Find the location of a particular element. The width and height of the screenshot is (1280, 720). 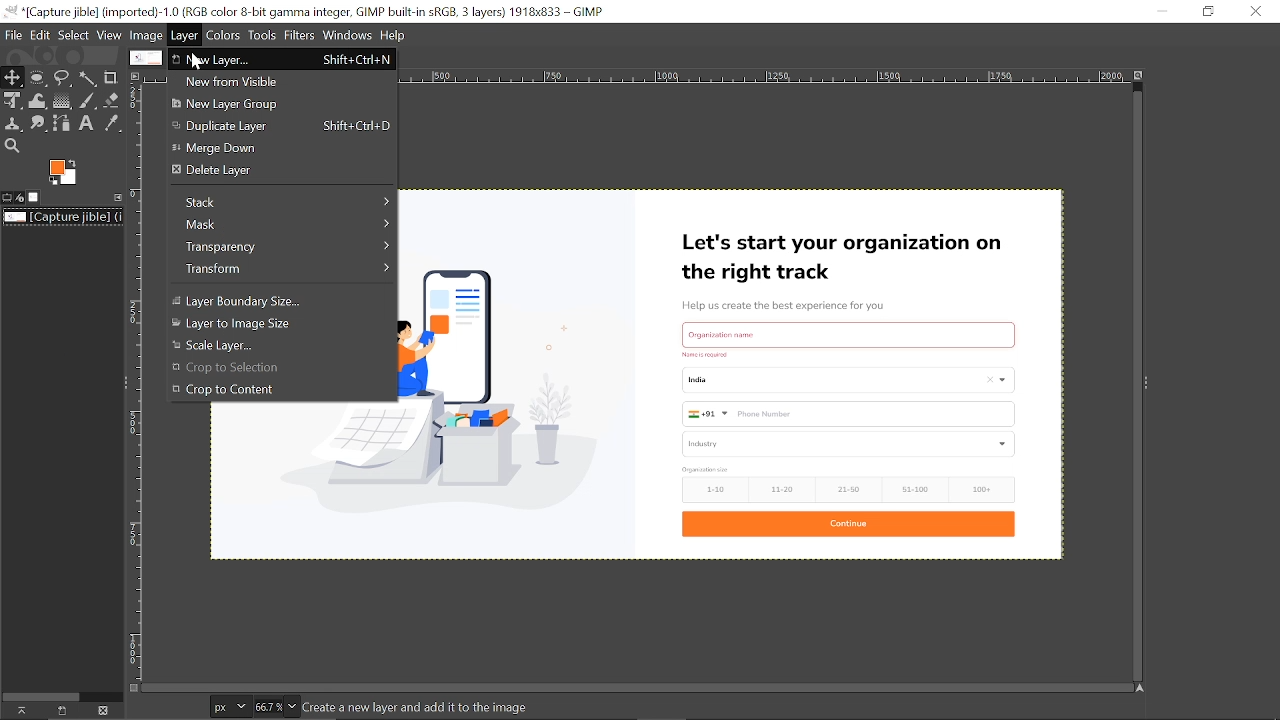

Slack is located at coordinates (283, 201).